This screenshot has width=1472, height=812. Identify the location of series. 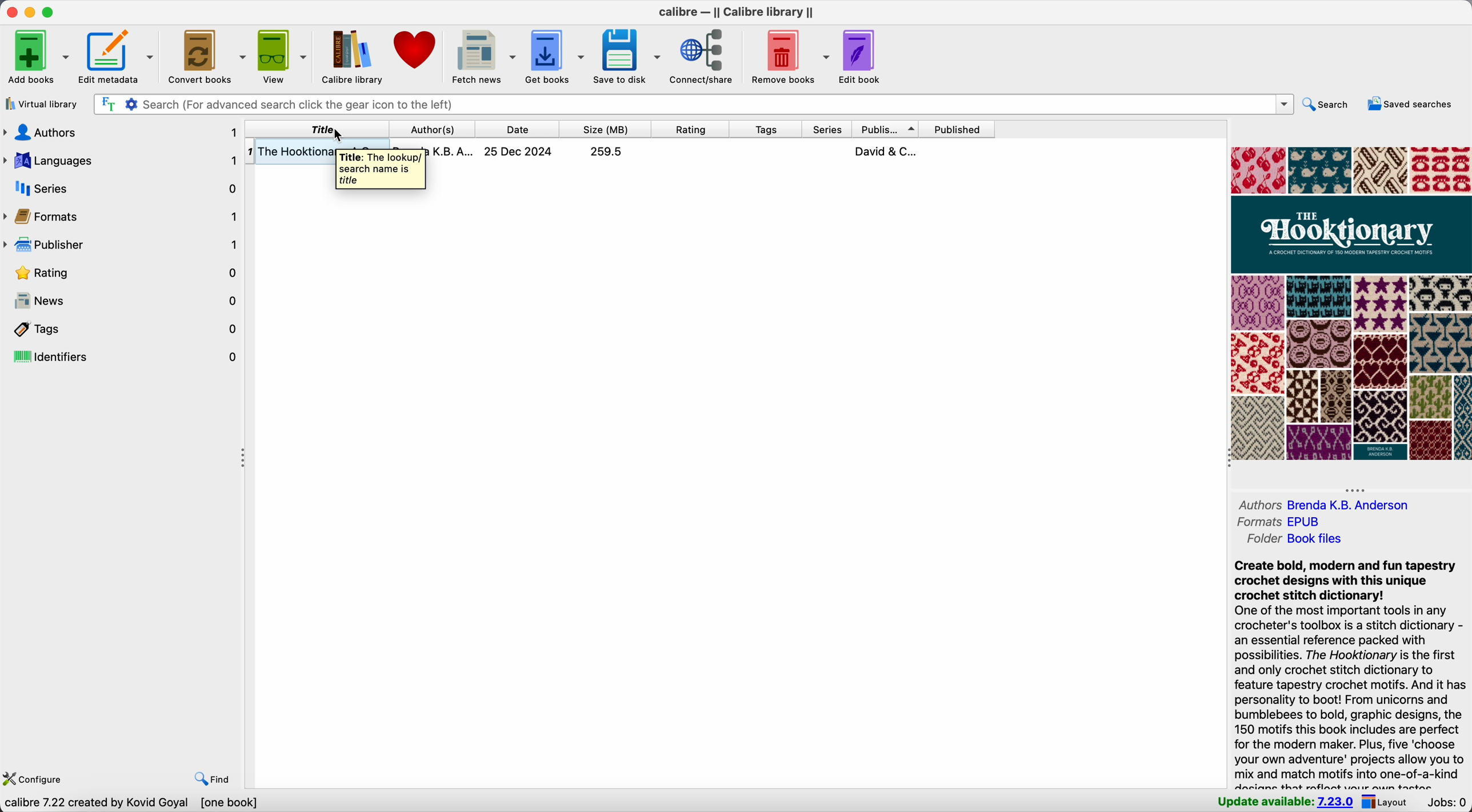
(829, 128).